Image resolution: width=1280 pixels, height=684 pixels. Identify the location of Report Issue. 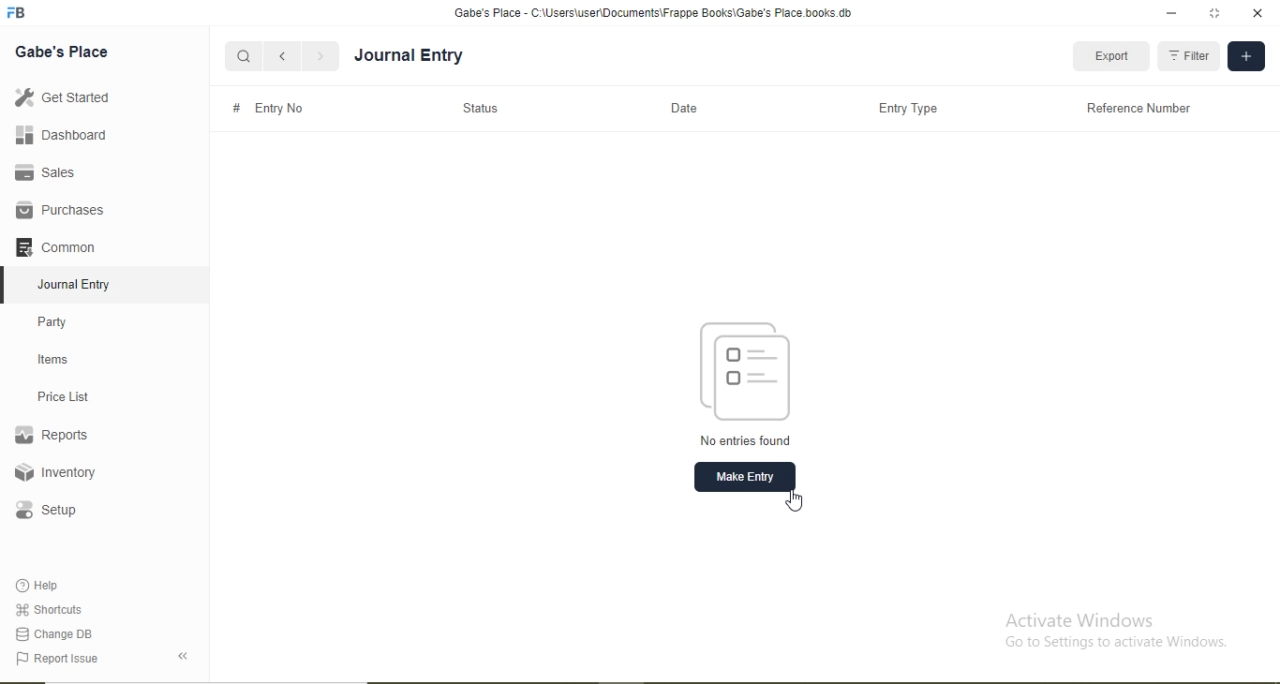
(56, 659).